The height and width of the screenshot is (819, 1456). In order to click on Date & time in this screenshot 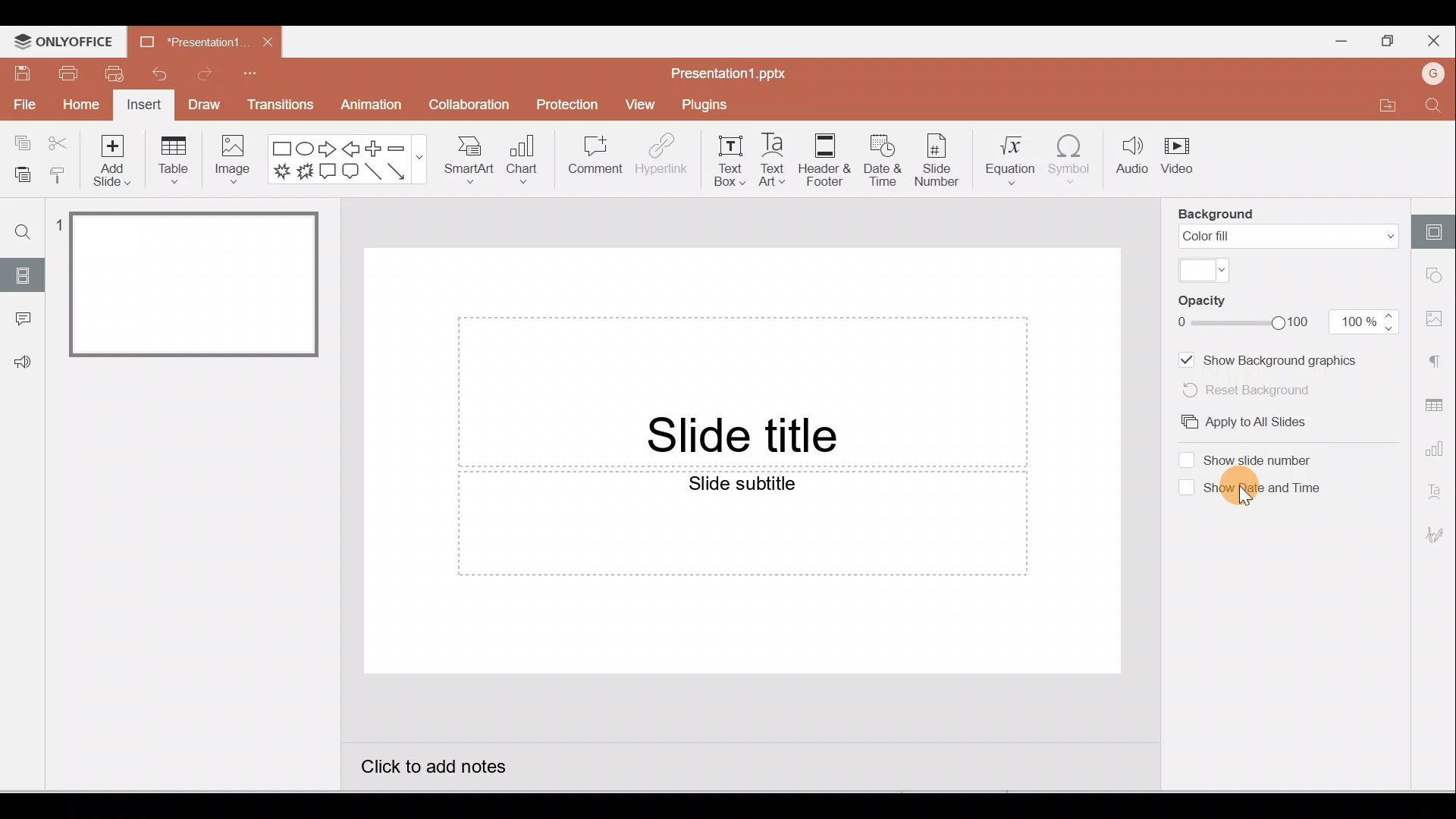, I will do `click(881, 161)`.